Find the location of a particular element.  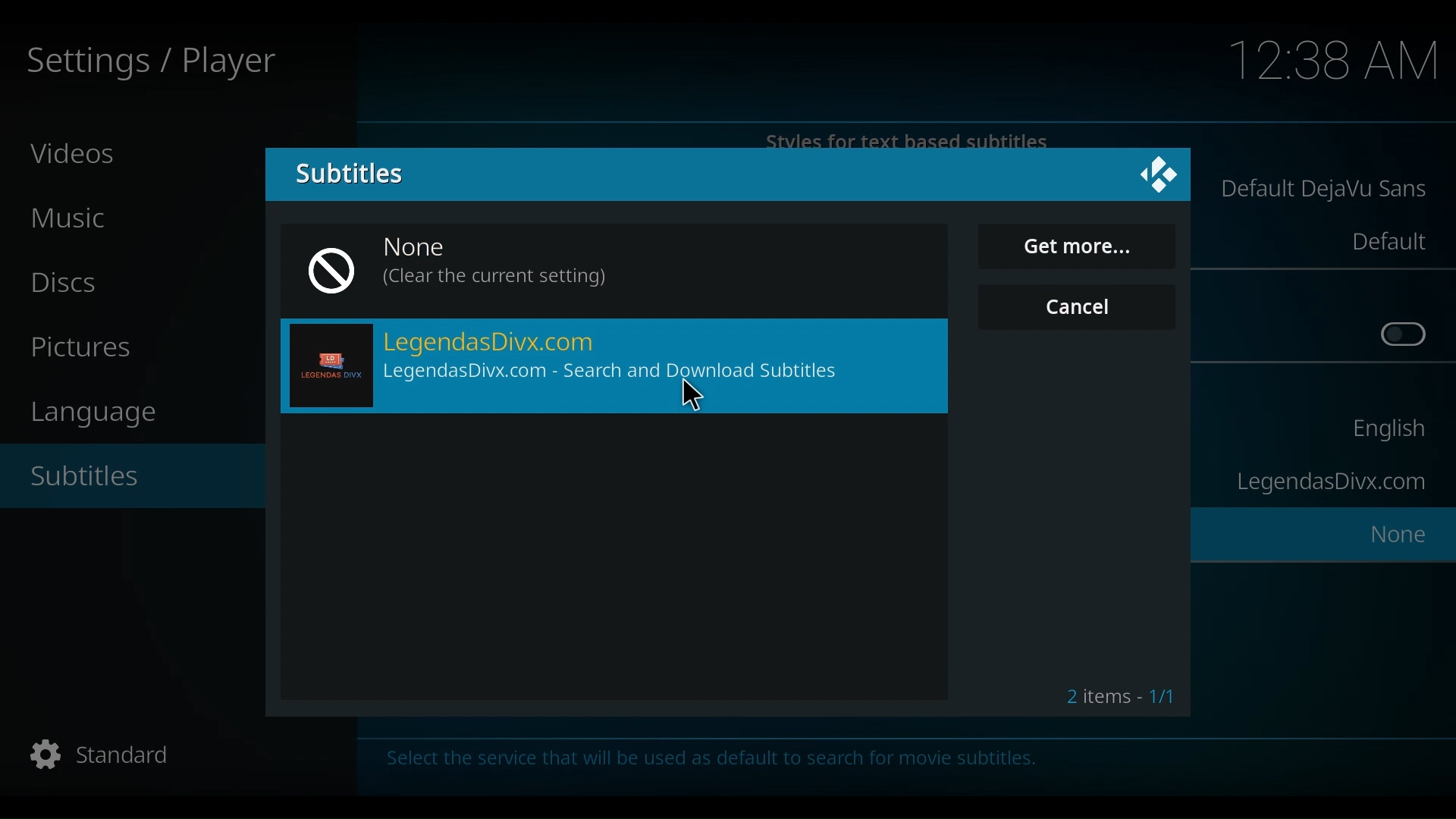

None is located at coordinates (430, 249).